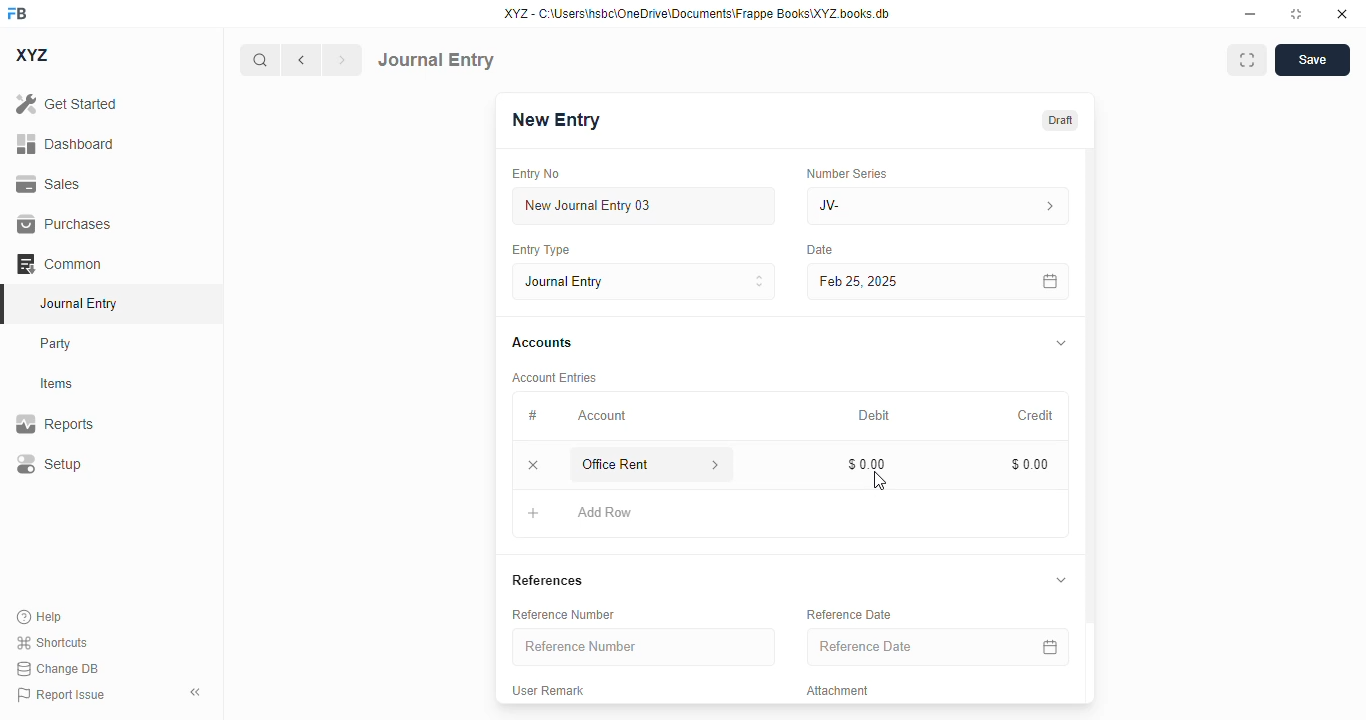  I want to click on toggle maximize, so click(1295, 14).